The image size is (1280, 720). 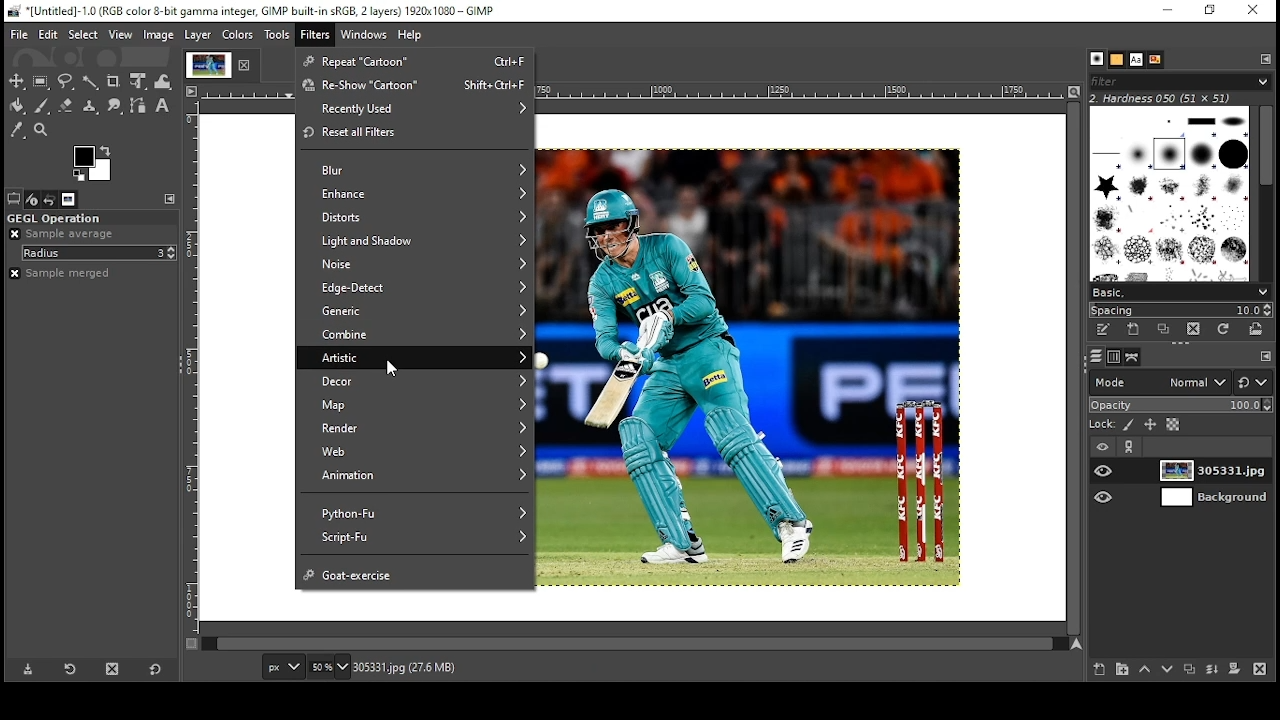 I want to click on artistic, so click(x=414, y=356).